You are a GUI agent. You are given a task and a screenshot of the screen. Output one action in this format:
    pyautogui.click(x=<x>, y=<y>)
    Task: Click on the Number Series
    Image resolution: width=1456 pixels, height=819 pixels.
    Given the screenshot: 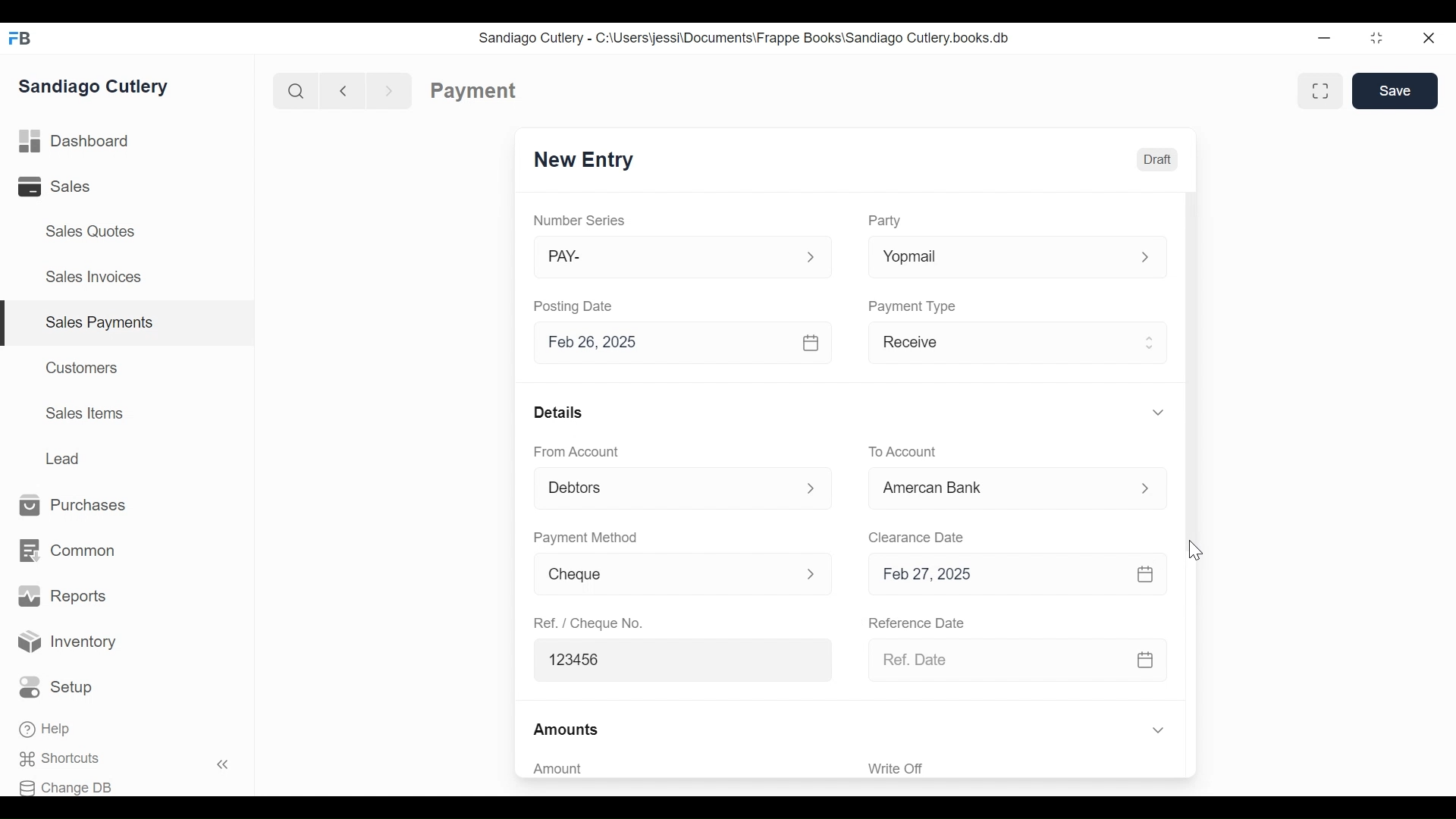 What is the action you would take?
    pyautogui.click(x=581, y=221)
    